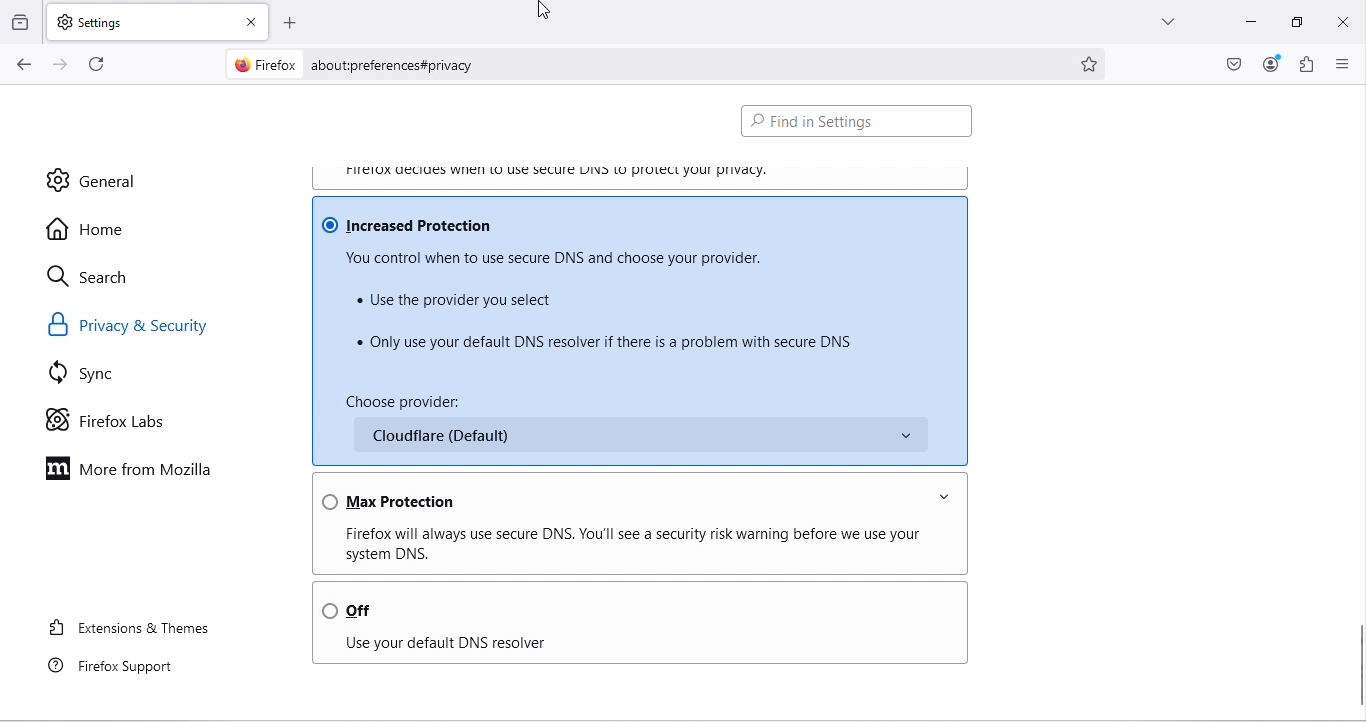 This screenshot has height=722, width=1366. Describe the element at coordinates (619, 648) in the screenshot. I see `Use your DNS resolver` at that location.